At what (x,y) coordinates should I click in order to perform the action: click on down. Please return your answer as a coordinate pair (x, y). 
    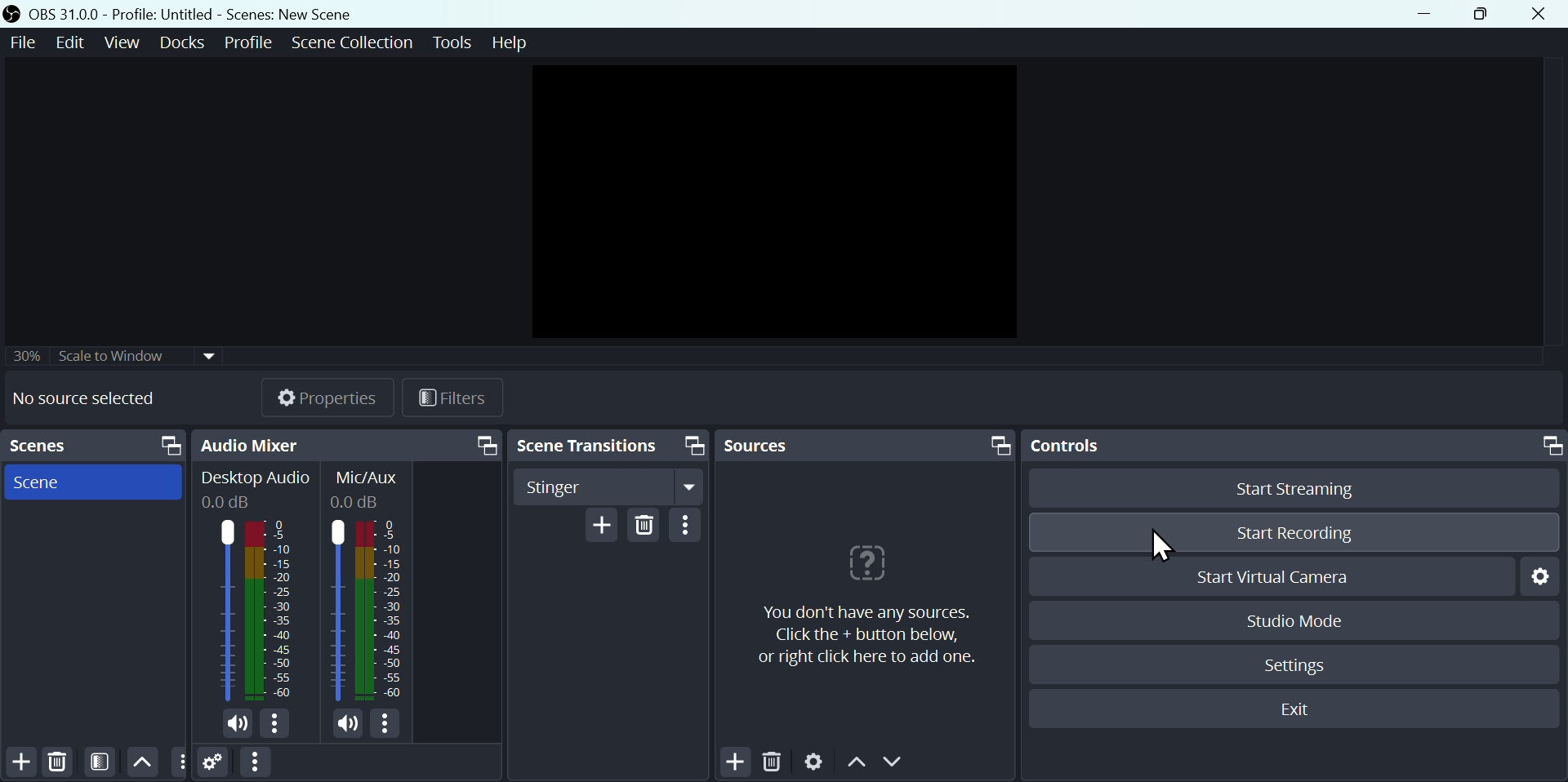
    Looking at the image, I should click on (897, 762).